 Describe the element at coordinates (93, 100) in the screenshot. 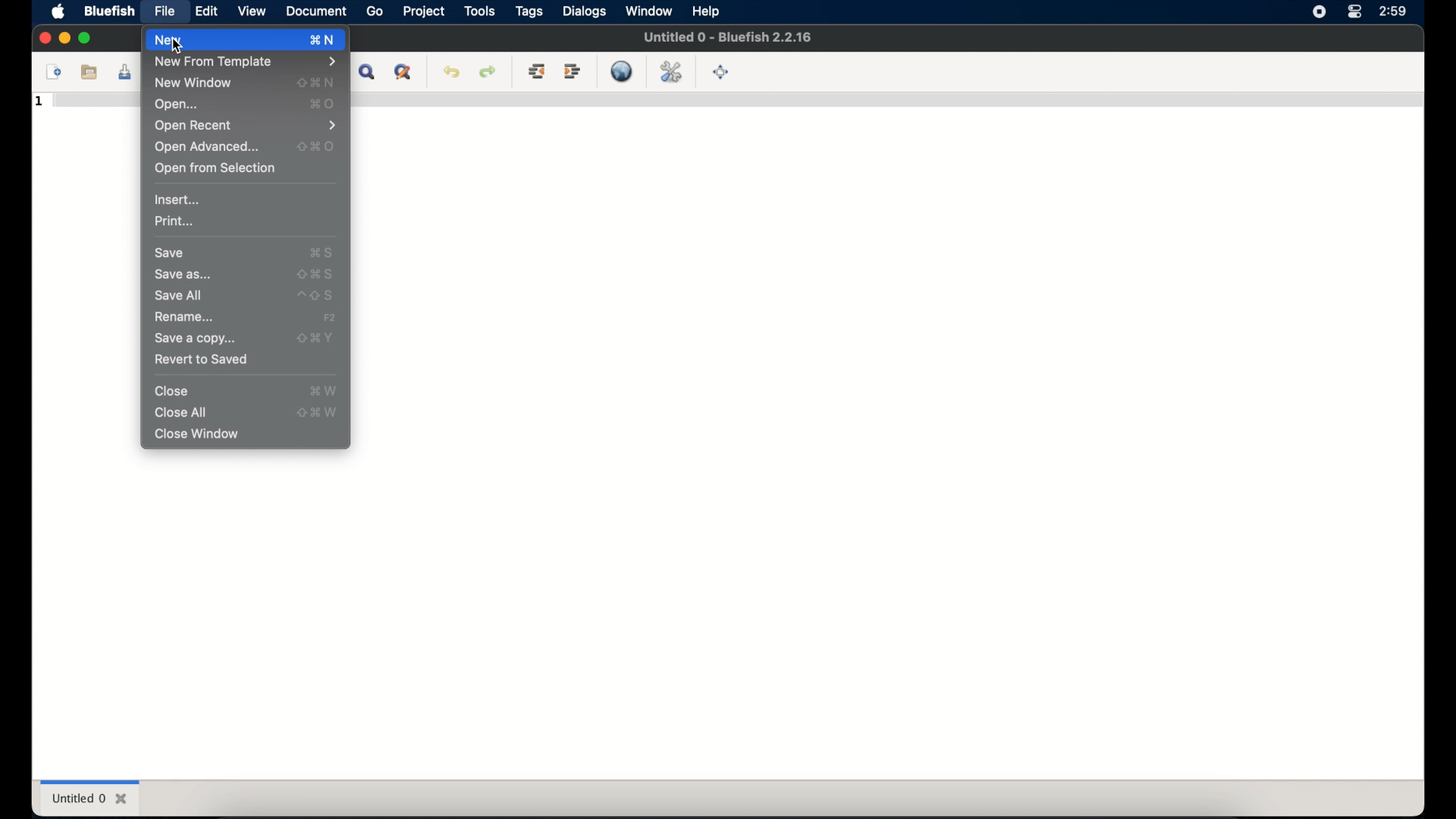

I see `code line` at that location.